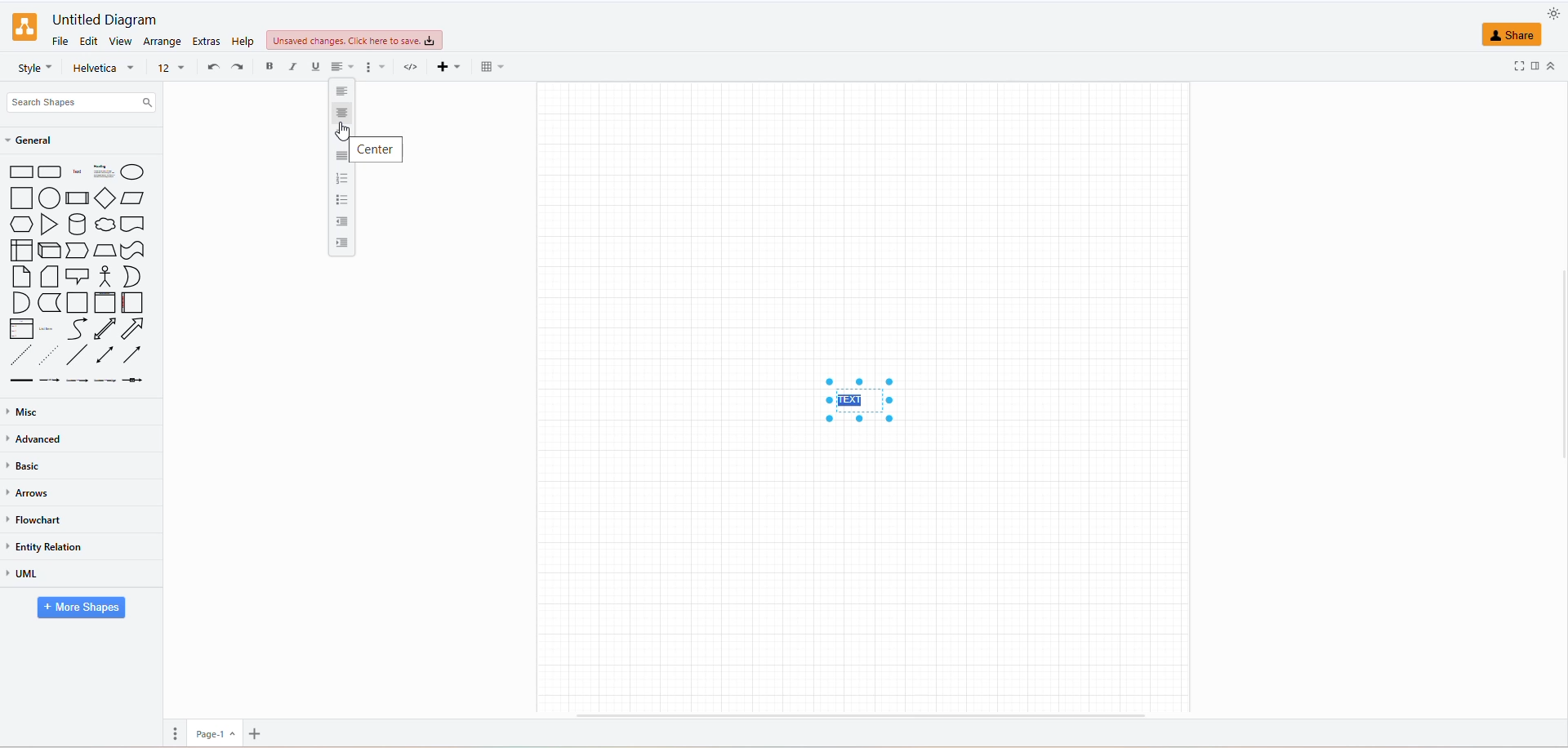  I want to click on font name, so click(106, 67).